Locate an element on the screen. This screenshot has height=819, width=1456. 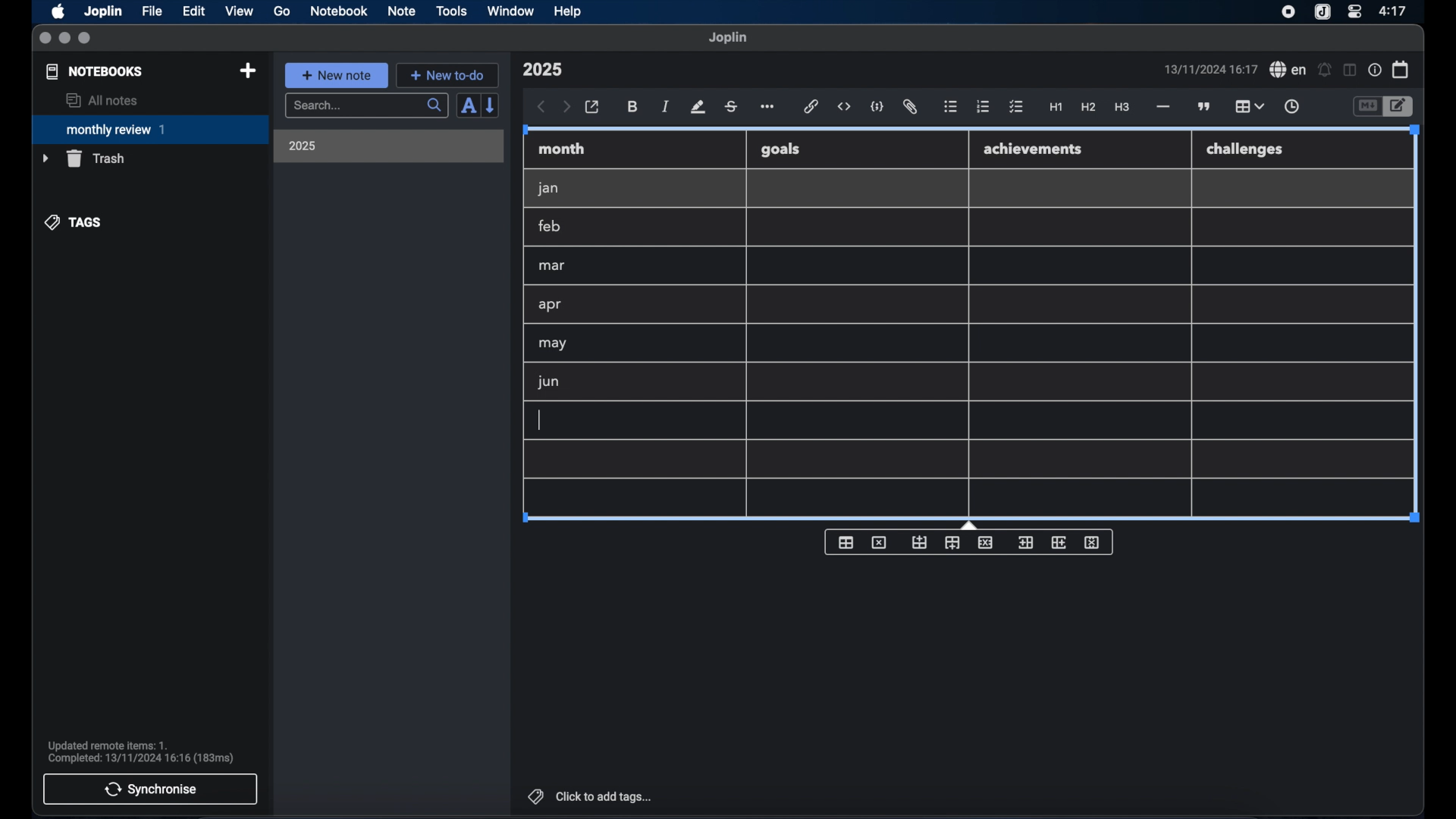
achievements is located at coordinates (1034, 149).